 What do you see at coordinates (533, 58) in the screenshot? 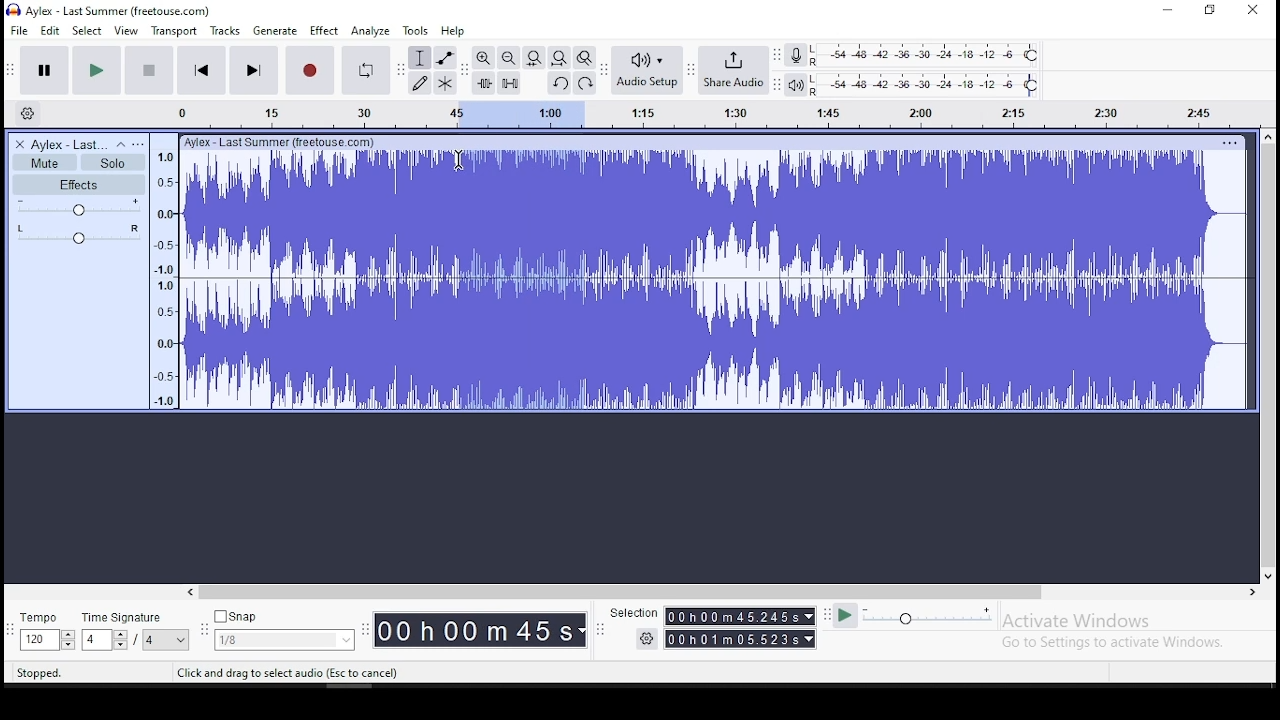
I see `fit selection to width` at bounding box center [533, 58].